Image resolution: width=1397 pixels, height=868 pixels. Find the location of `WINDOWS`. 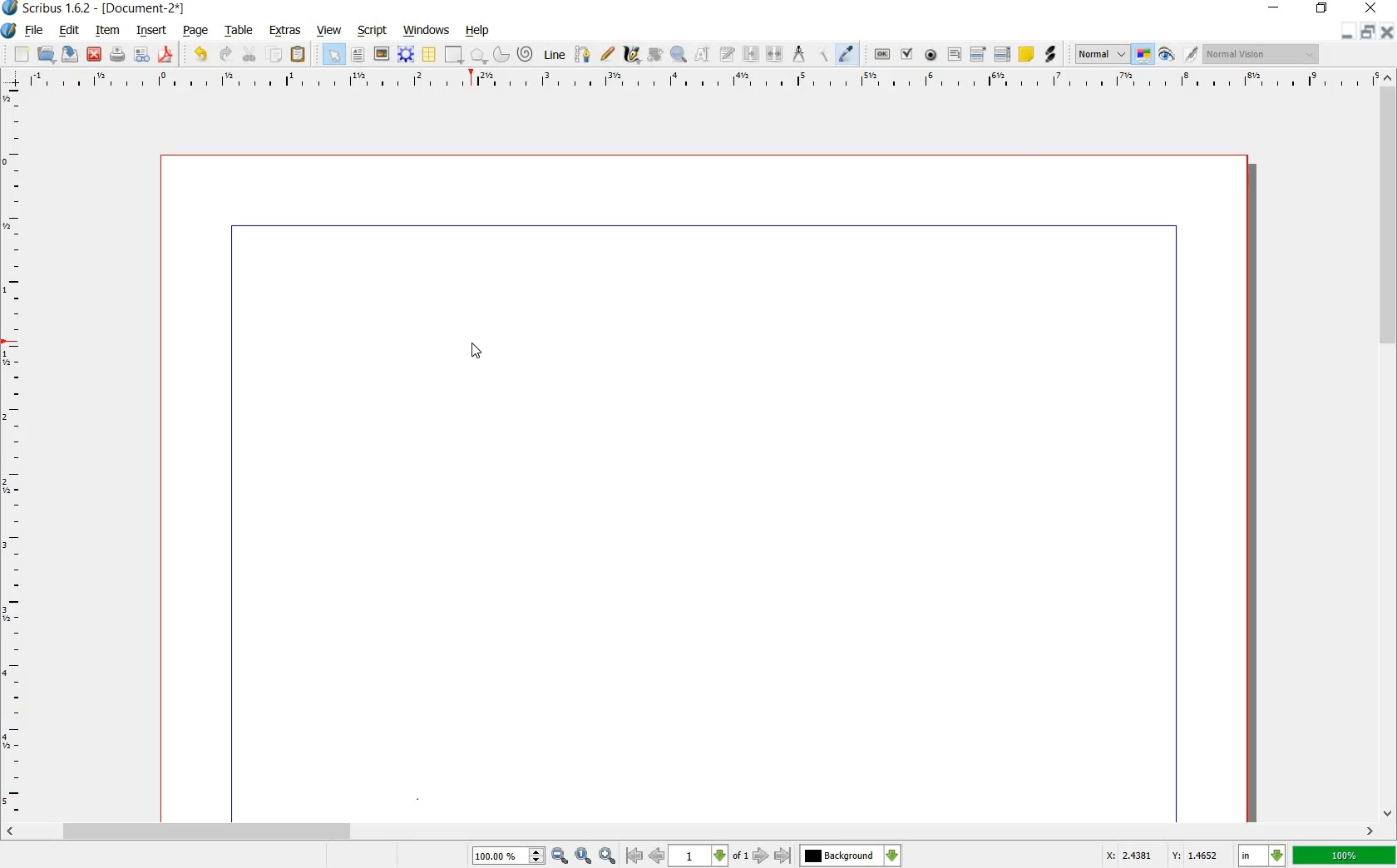

WINDOWS is located at coordinates (427, 31).